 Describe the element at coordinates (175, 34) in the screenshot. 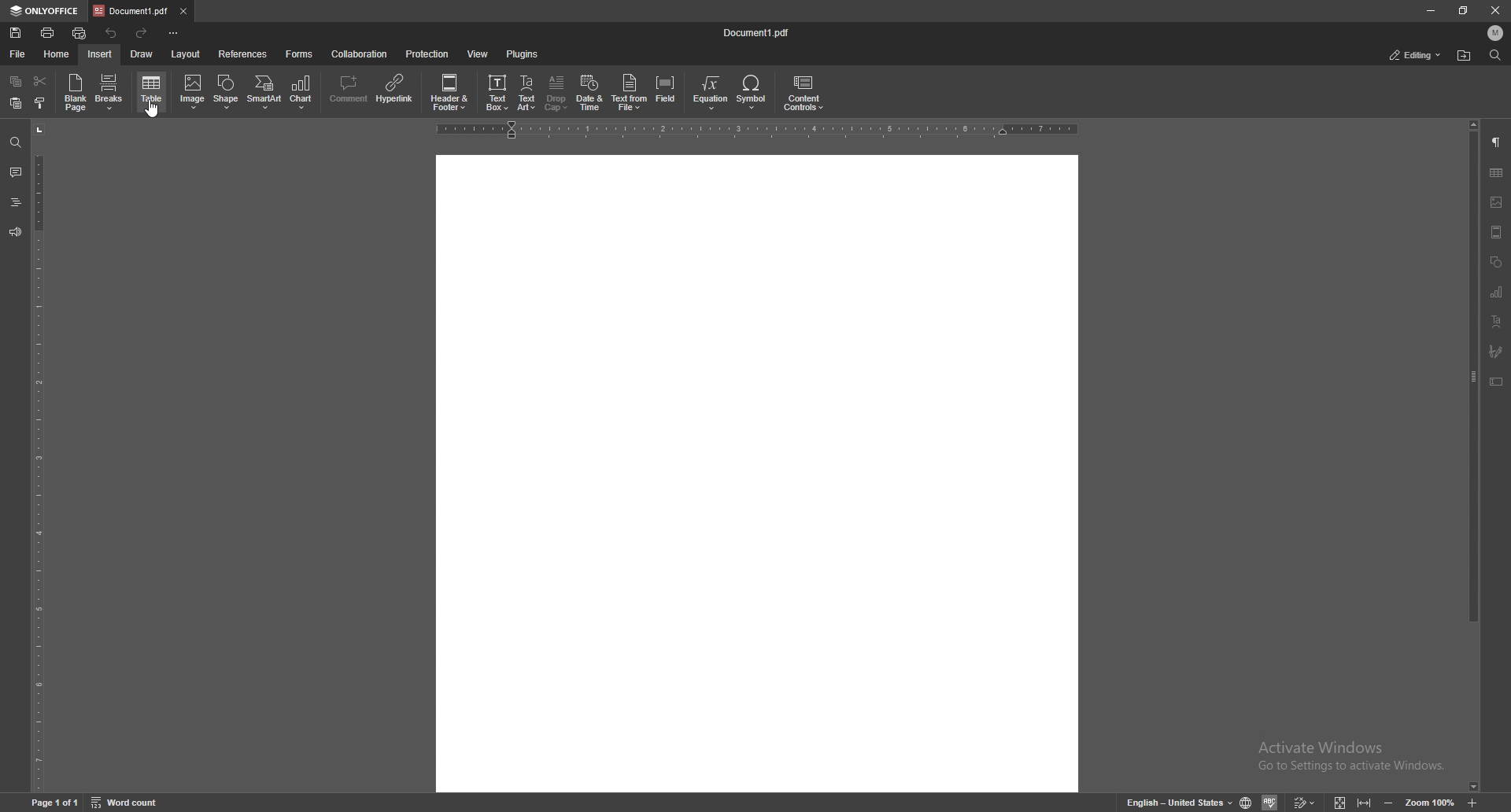

I see `configure toolbar` at that location.